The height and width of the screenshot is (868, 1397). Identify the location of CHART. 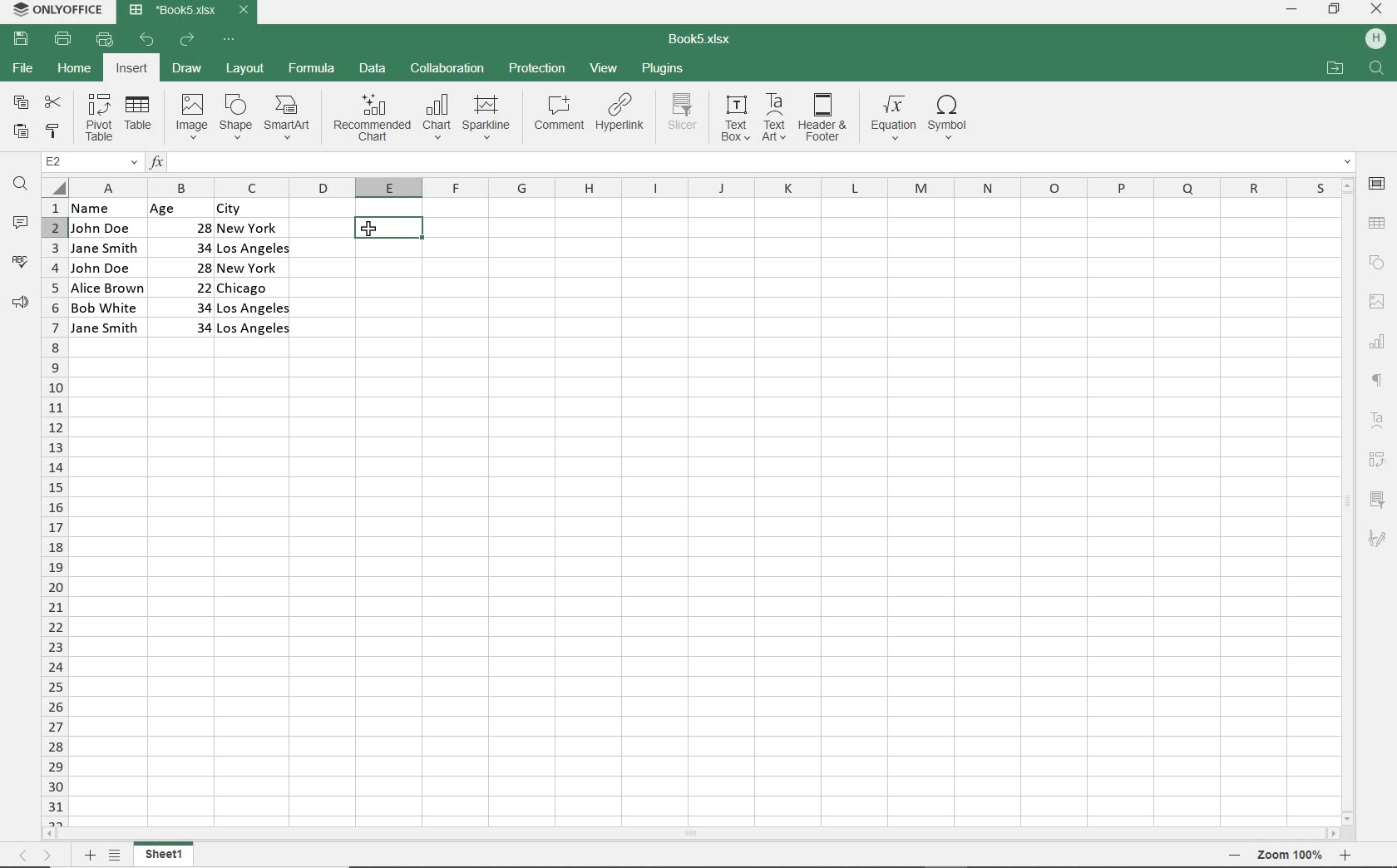
(436, 120).